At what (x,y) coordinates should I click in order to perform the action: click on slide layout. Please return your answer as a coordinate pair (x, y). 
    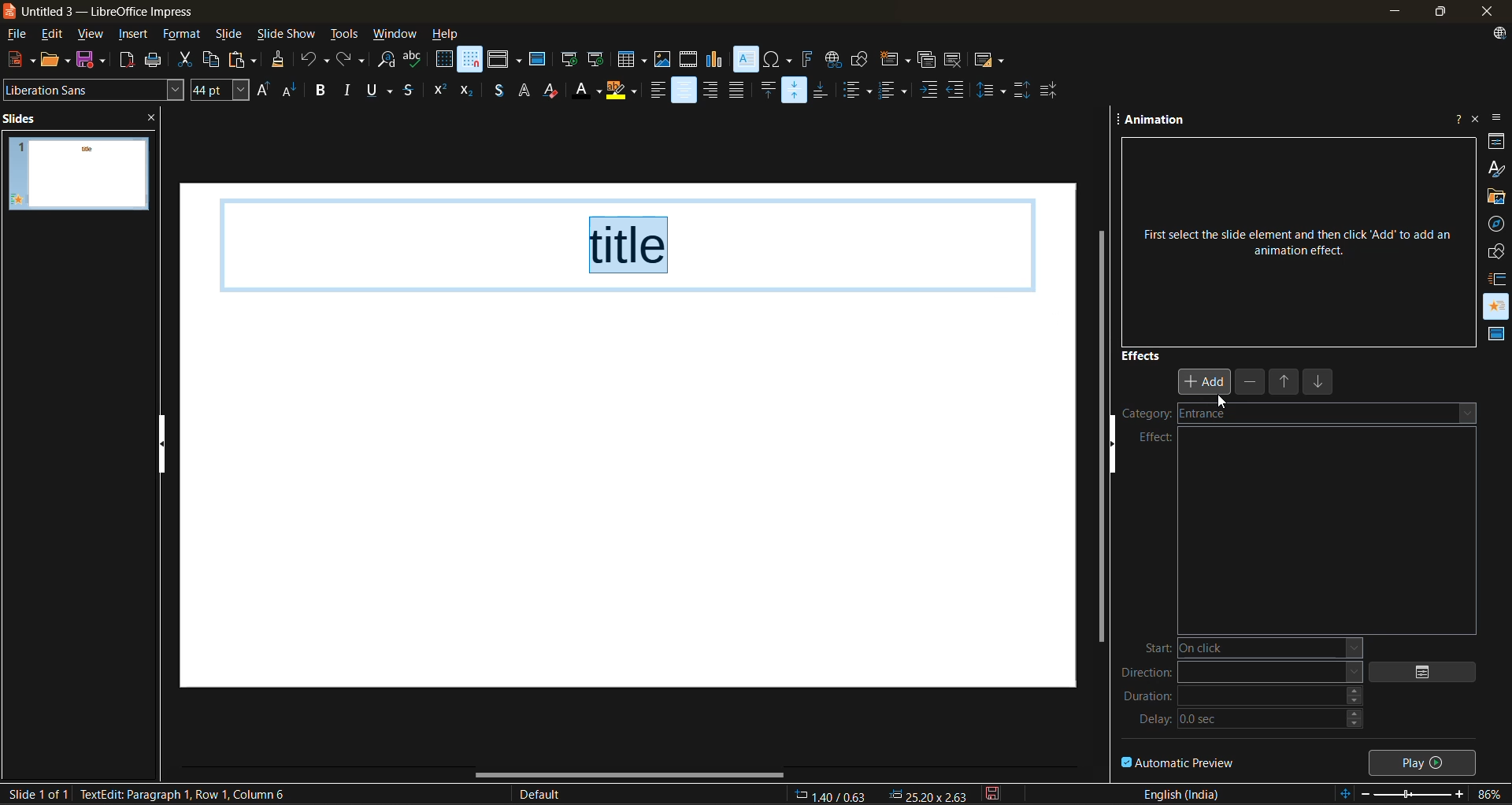
    Looking at the image, I should click on (990, 63).